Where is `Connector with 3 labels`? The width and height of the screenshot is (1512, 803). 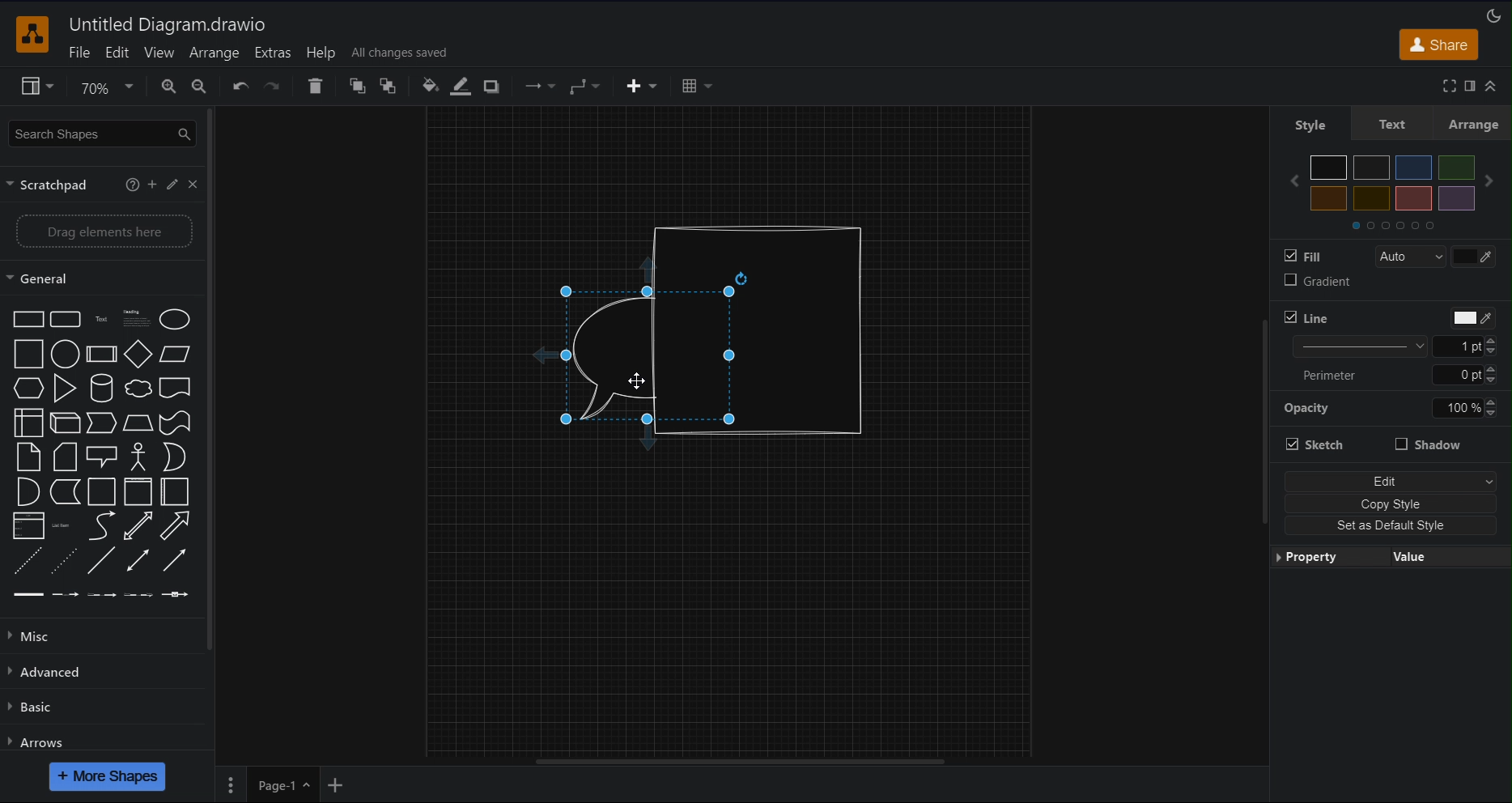
Connector with 3 labels is located at coordinates (138, 594).